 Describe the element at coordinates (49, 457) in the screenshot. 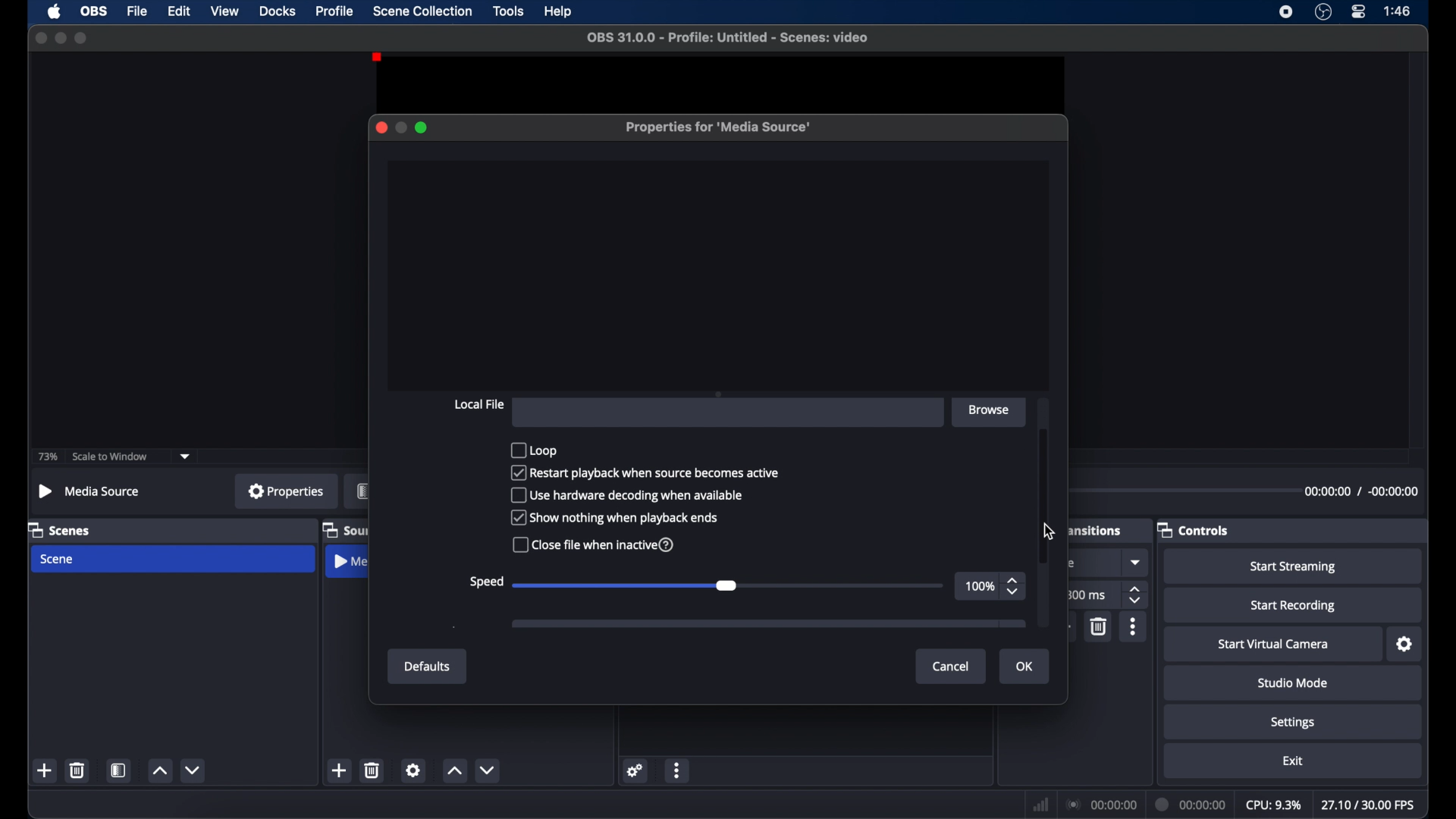

I see `73%` at that location.